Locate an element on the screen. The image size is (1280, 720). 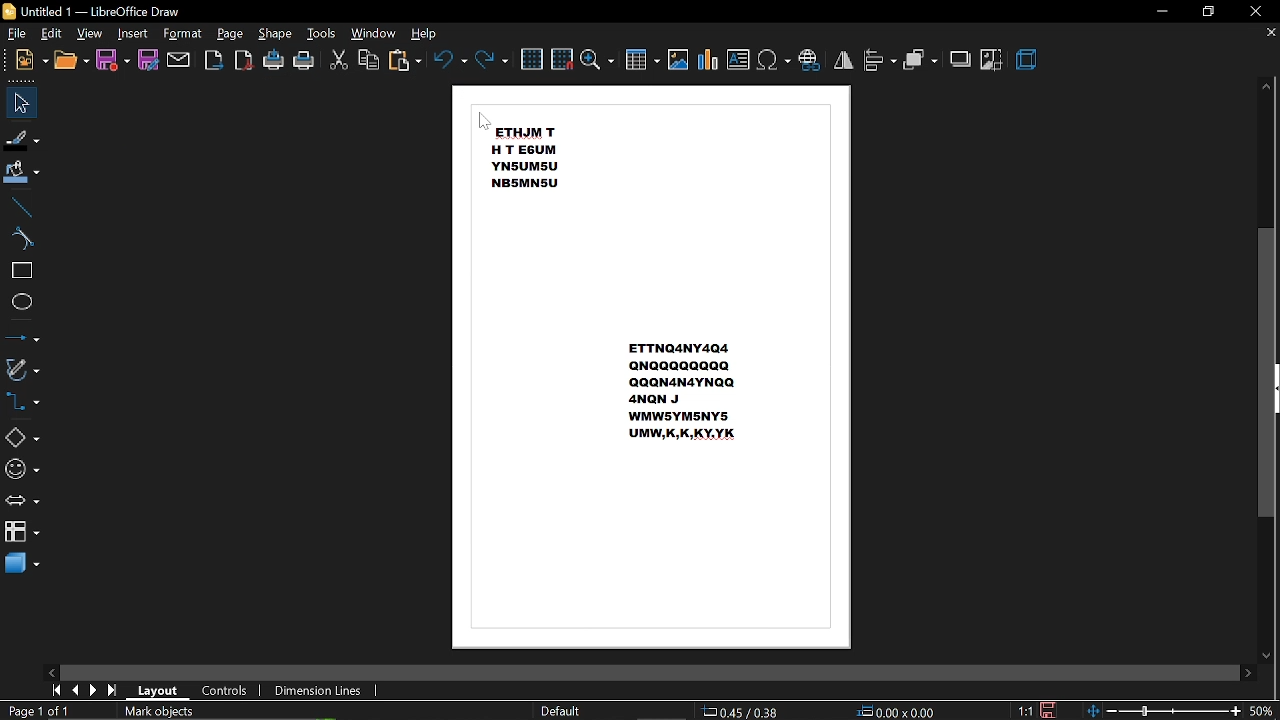
save as is located at coordinates (148, 62).